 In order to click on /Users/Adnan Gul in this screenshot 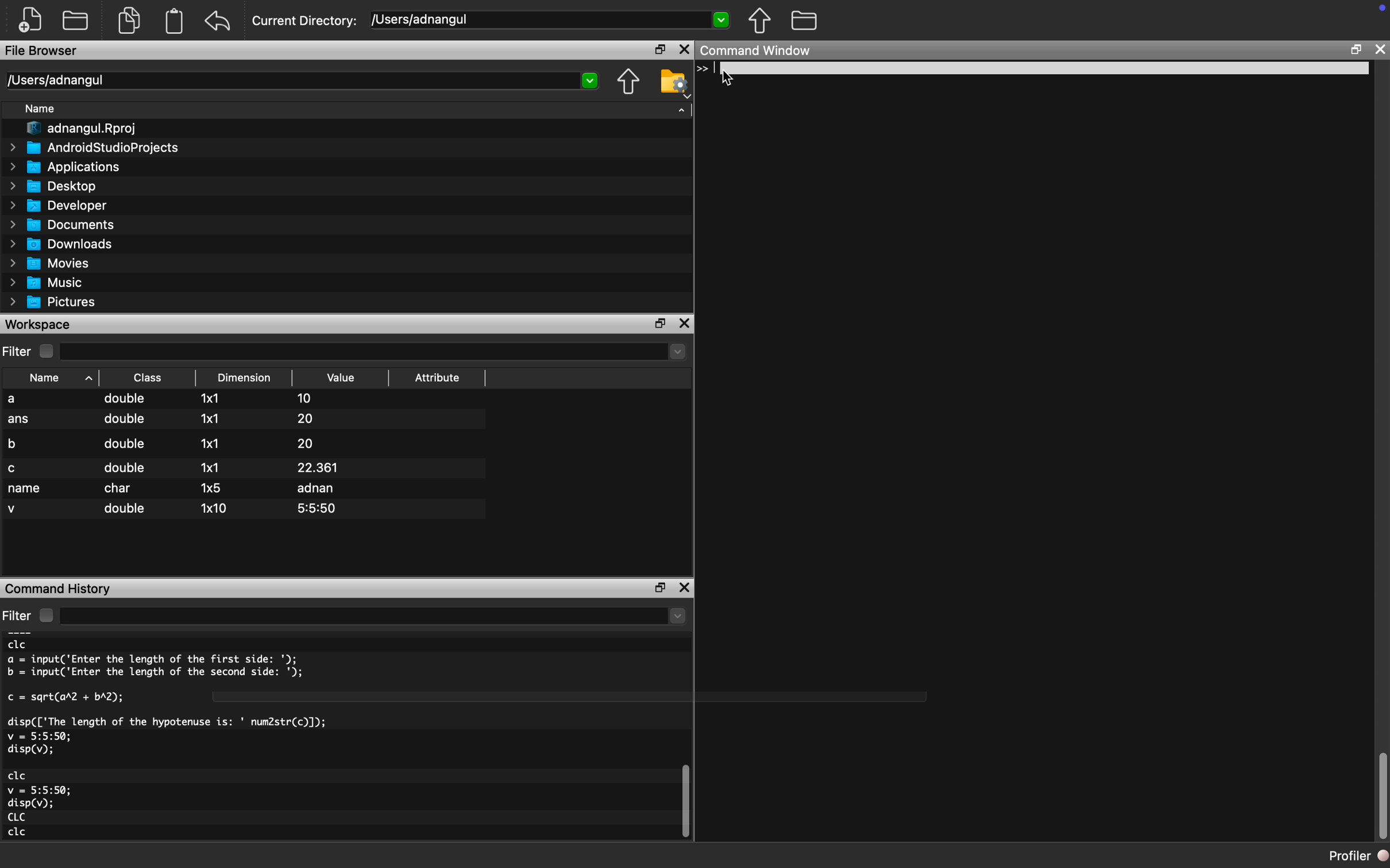, I will do `click(289, 82)`.